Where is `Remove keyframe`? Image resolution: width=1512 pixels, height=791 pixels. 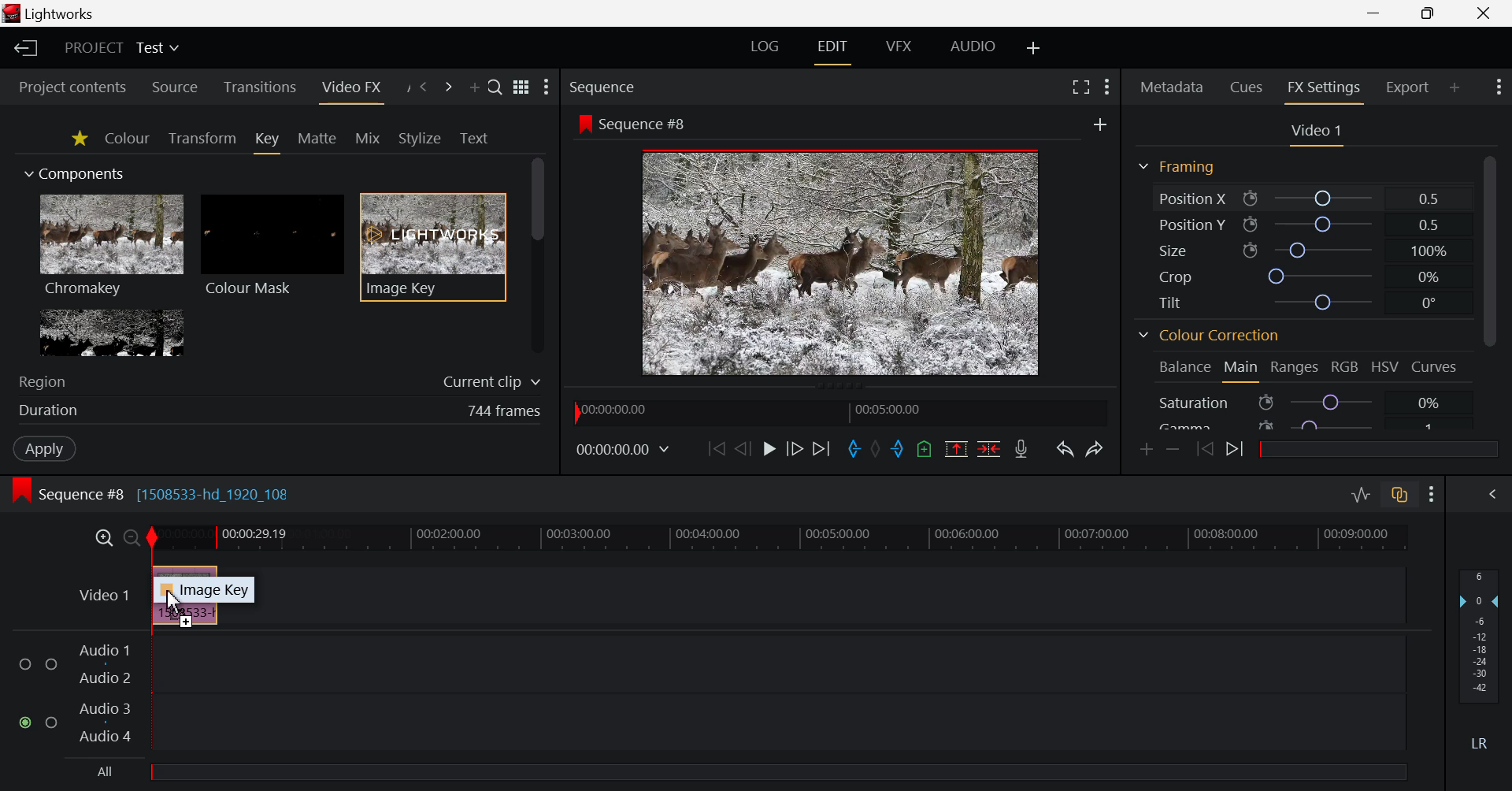
Remove keyframe is located at coordinates (1176, 448).